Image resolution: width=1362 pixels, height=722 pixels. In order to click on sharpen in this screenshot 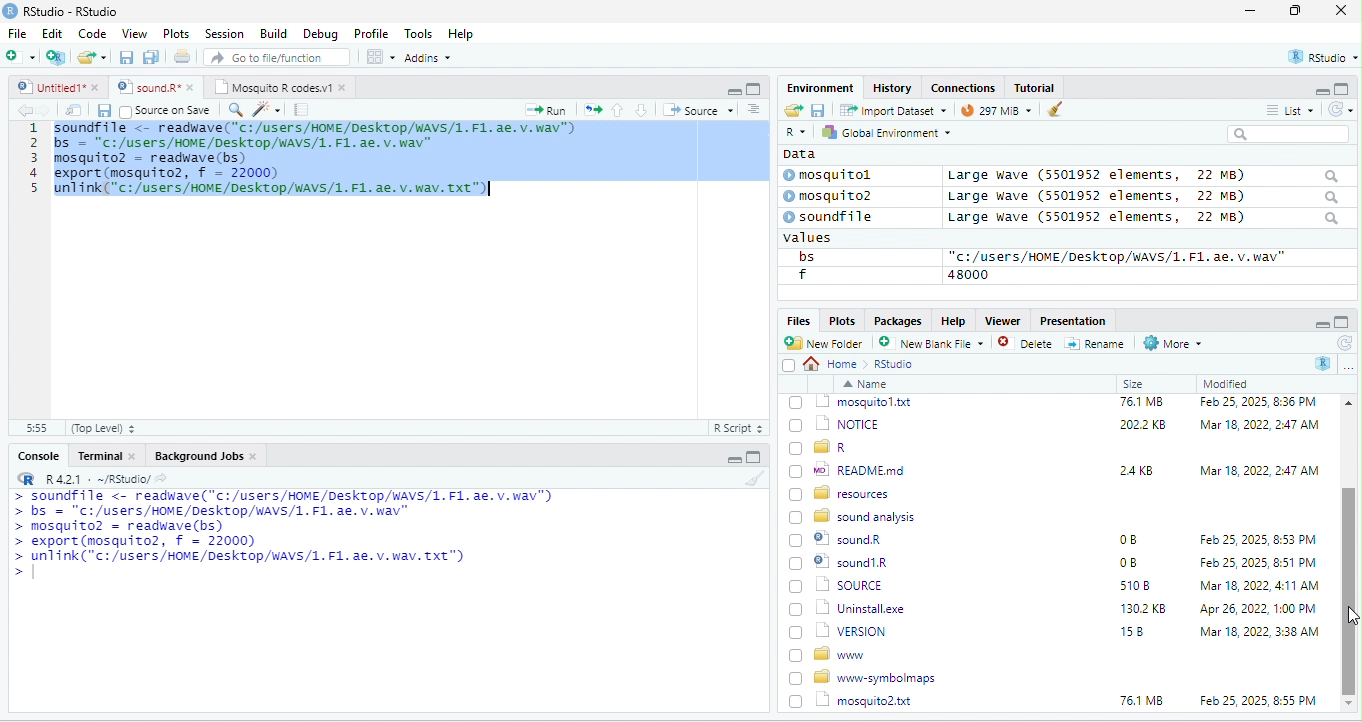, I will do `click(267, 109)`.